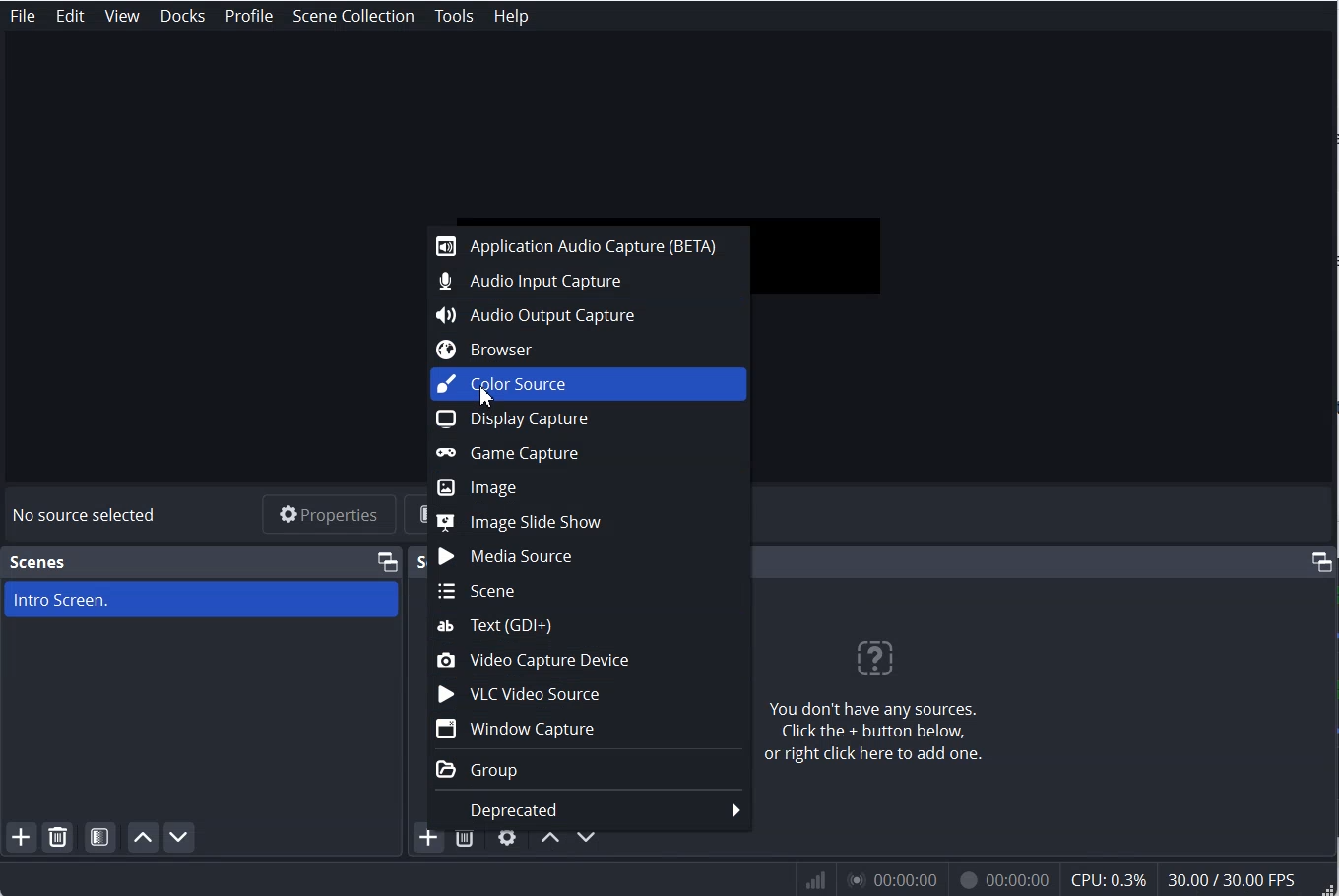 This screenshot has height=896, width=1339. What do you see at coordinates (483, 399) in the screenshot?
I see `Cursor` at bounding box center [483, 399].